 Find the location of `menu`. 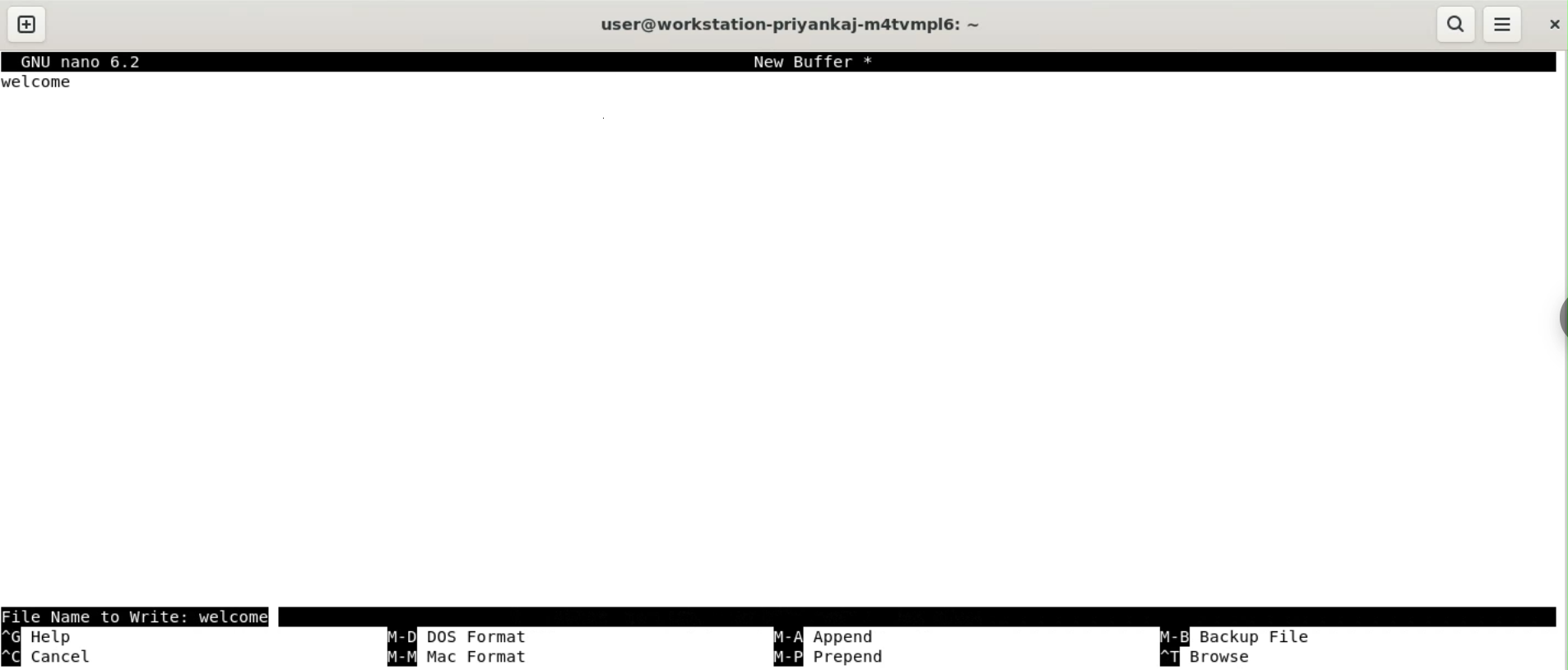

menu is located at coordinates (1501, 24).